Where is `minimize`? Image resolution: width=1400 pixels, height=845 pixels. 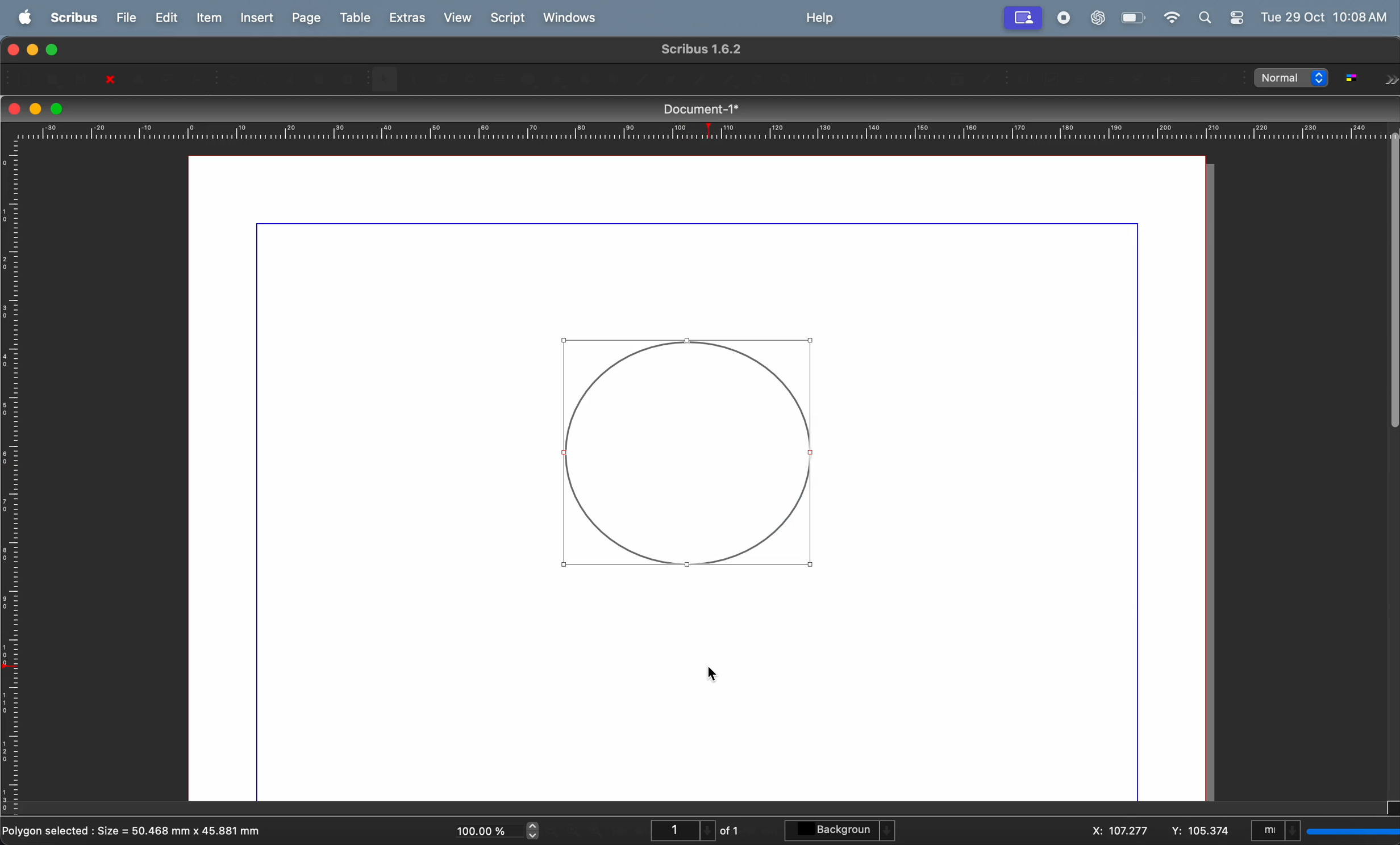 minimize is located at coordinates (36, 109).